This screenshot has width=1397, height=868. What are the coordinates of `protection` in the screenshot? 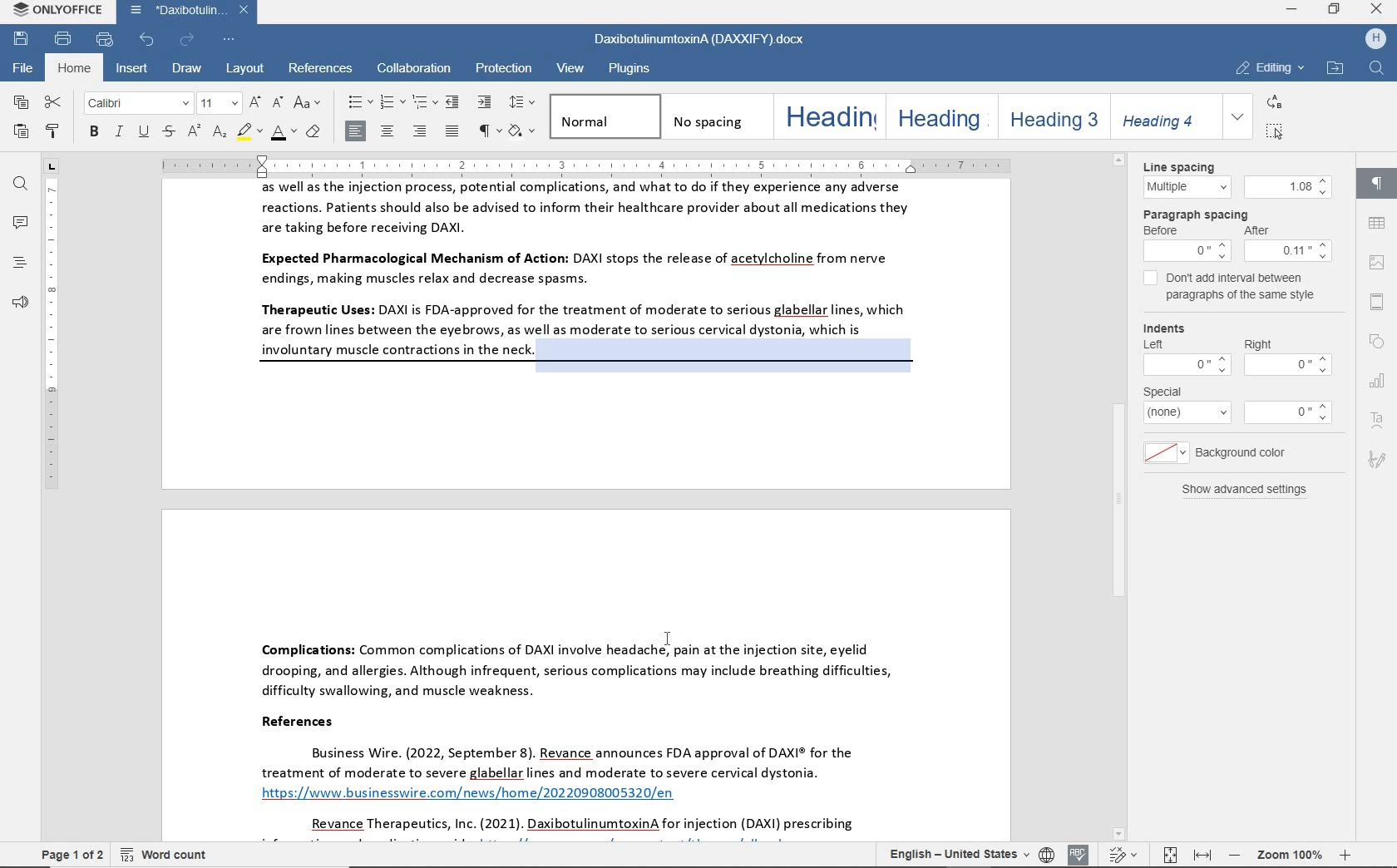 It's located at (503, 67).